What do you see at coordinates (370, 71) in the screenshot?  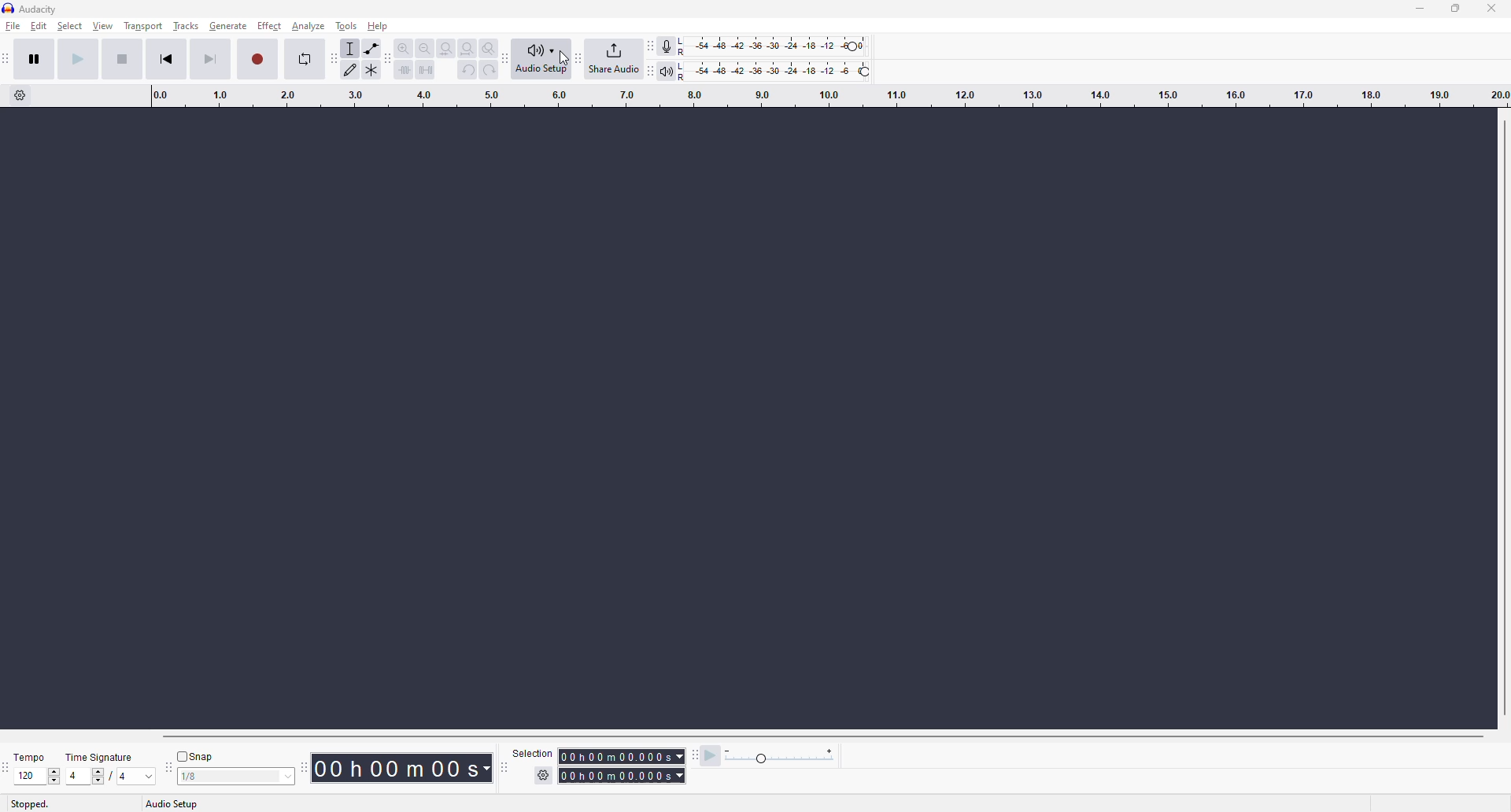 I see `Tools` at bounding box center [370, 71].